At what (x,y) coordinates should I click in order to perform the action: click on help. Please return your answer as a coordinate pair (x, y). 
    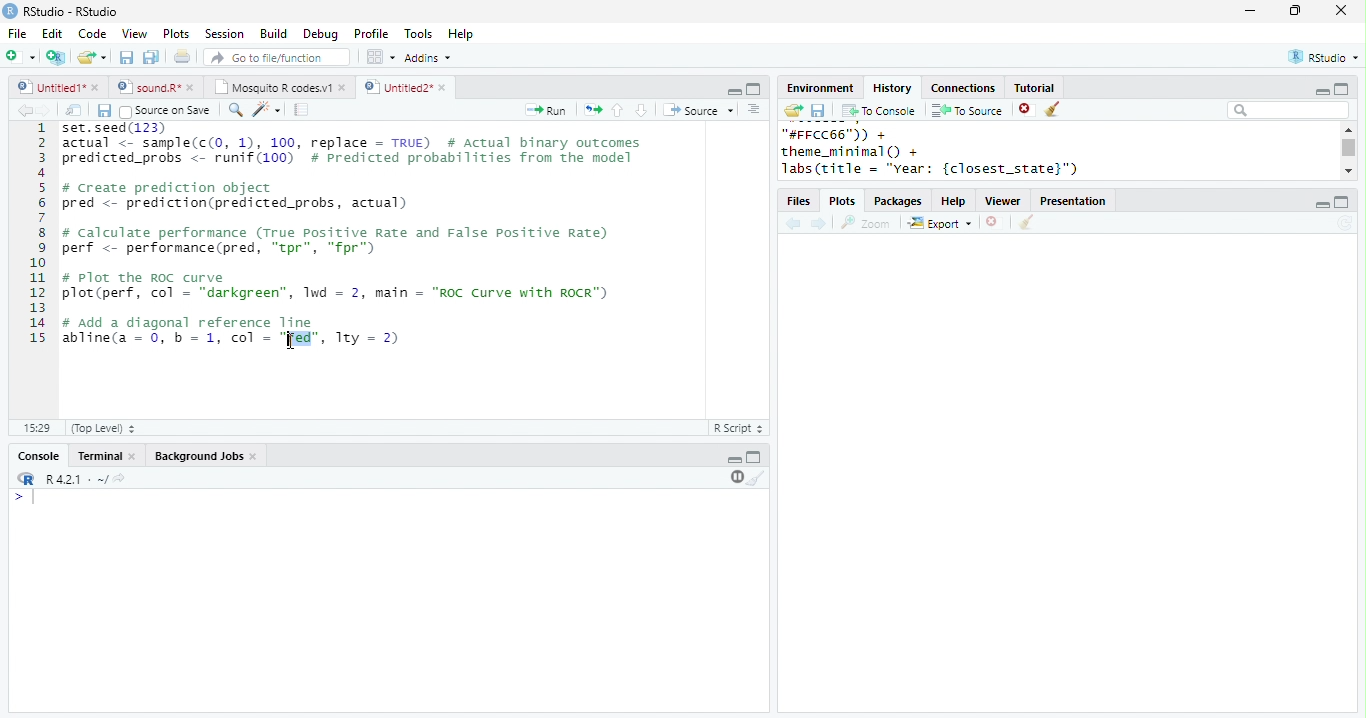
    Looking at the image, I should click on (954, 202).